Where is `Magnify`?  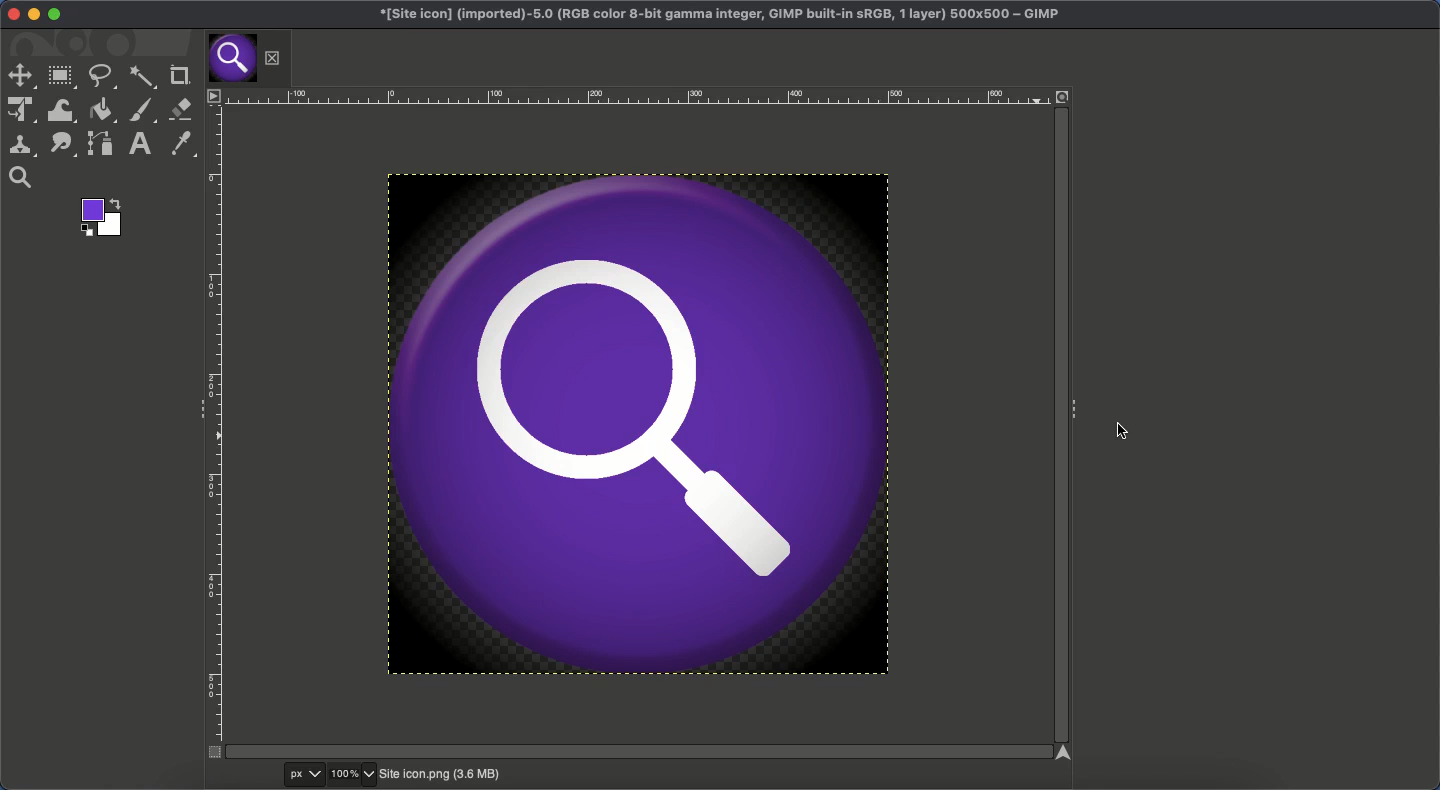 Magnify is located at coordinates (21, 178).